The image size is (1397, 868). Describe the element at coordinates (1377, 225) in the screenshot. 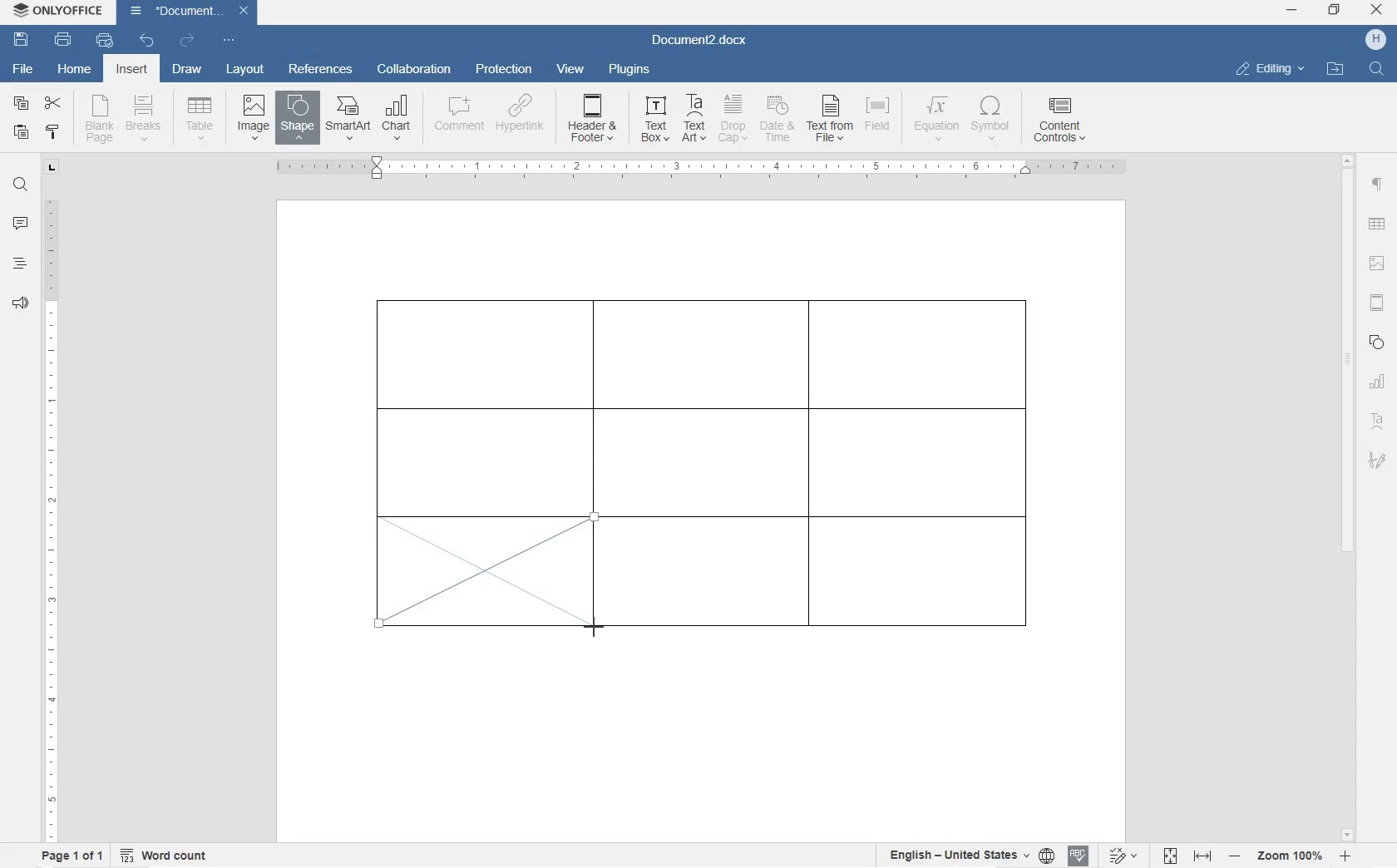

I see `table` at that location.